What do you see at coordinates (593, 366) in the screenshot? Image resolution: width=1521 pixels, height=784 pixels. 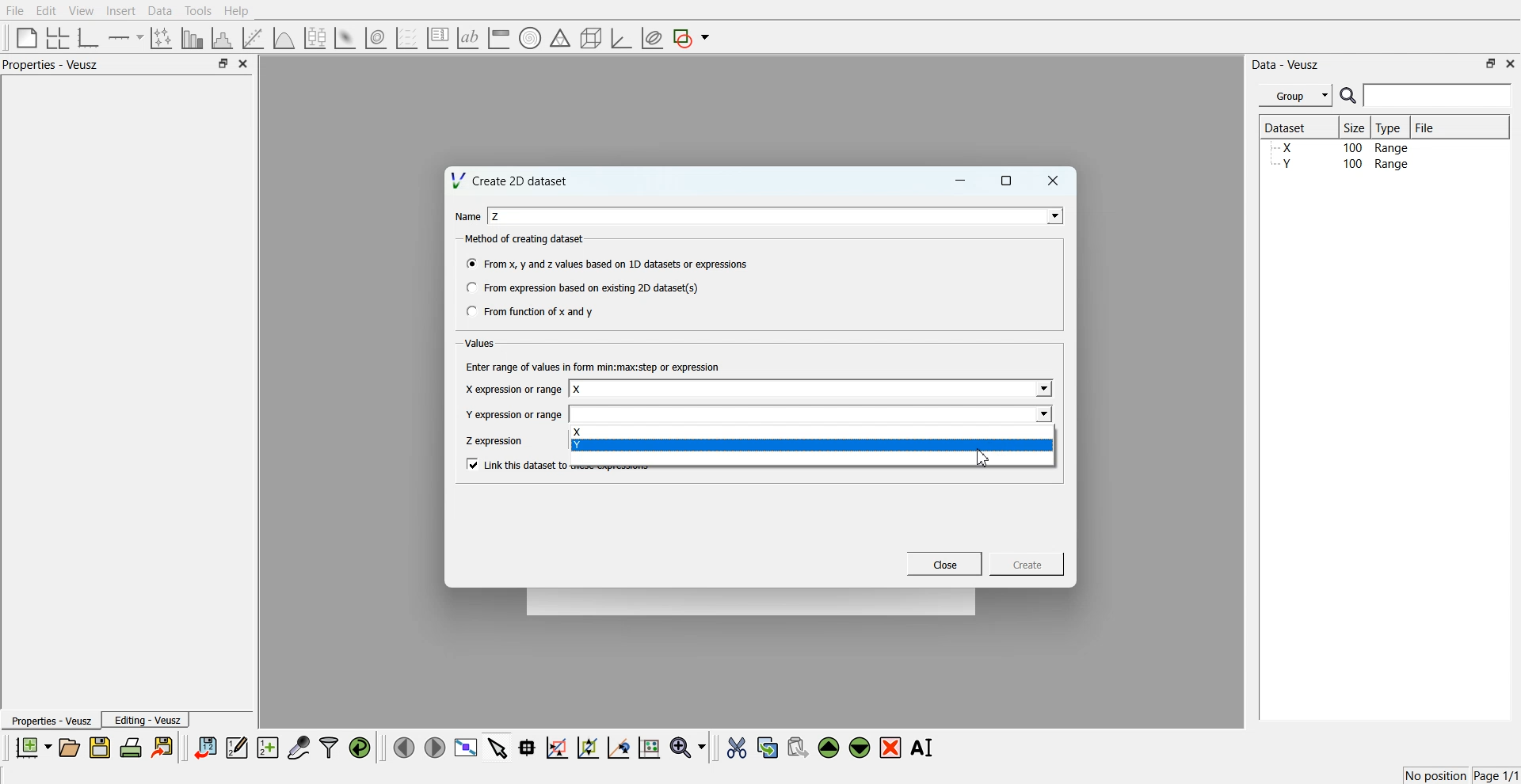 I see `~~ Enter range of values in form min:max:step or expression` at bounding box center [593, 366].